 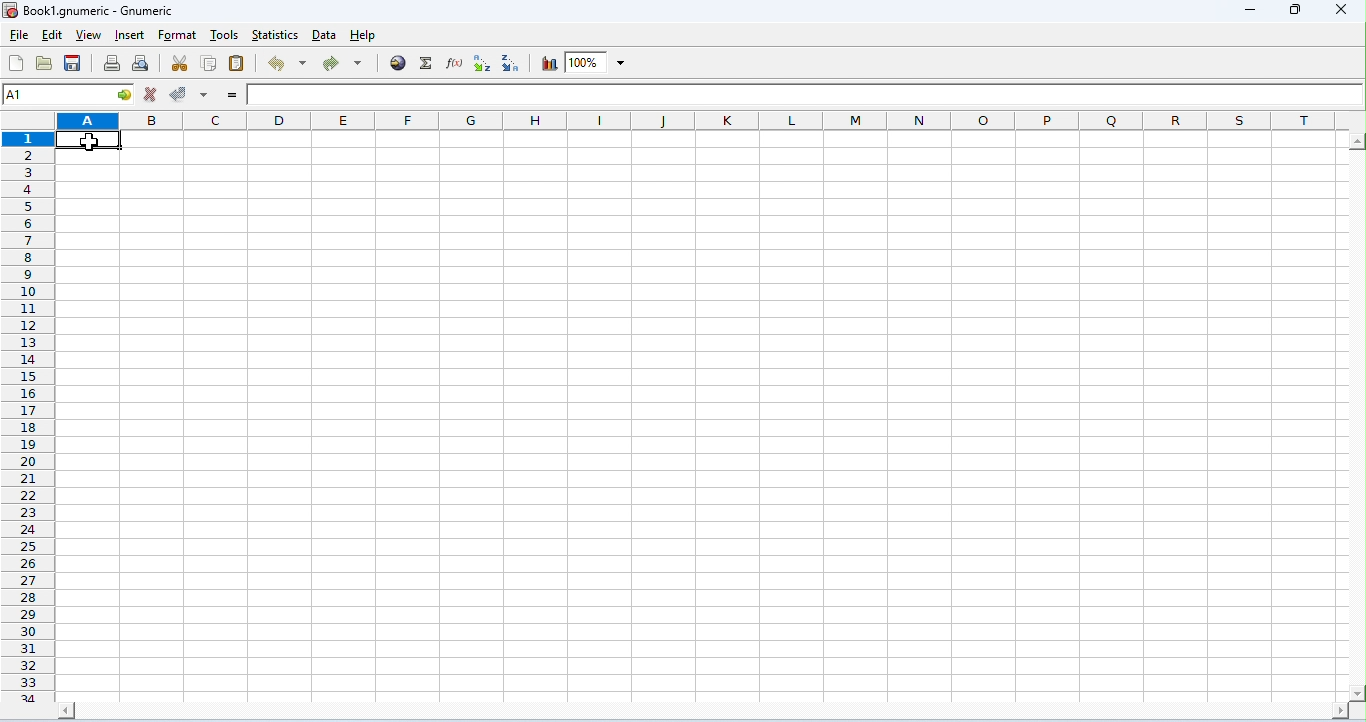 What do you see at coordinates (363, 36) in the screenshot?
I see `help` at bounding box center [363, 36].